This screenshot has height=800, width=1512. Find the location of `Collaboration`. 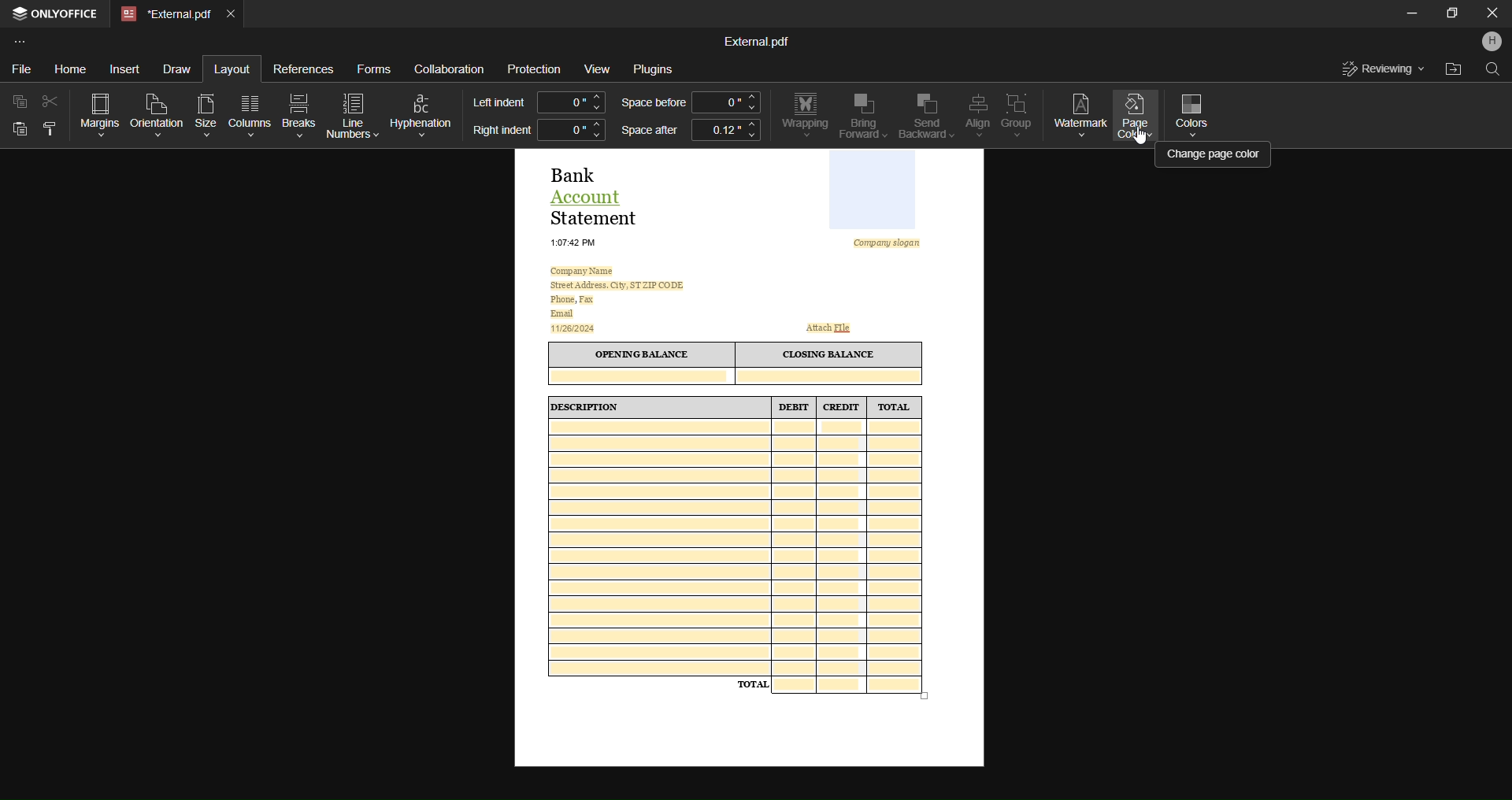

Collaboration is located at coordinates (450, 66).